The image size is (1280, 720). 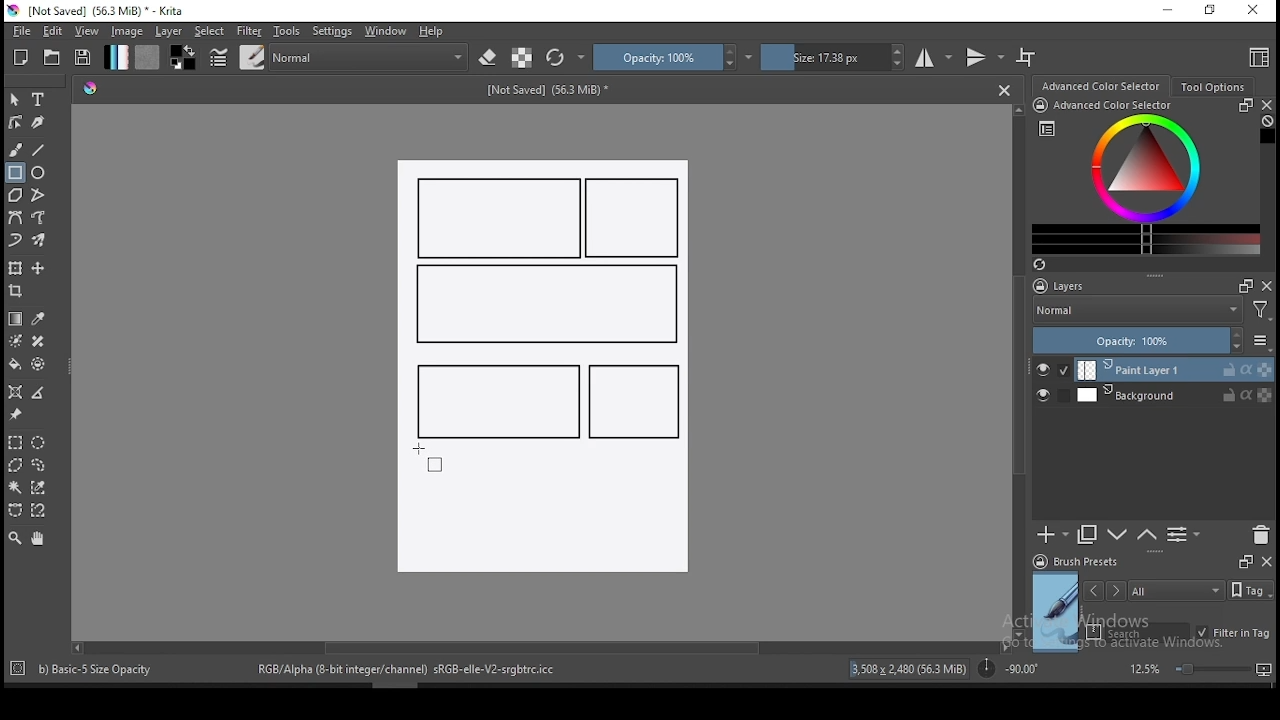 I want to click on layer visibility on/off, so click(x=1048, y=397).